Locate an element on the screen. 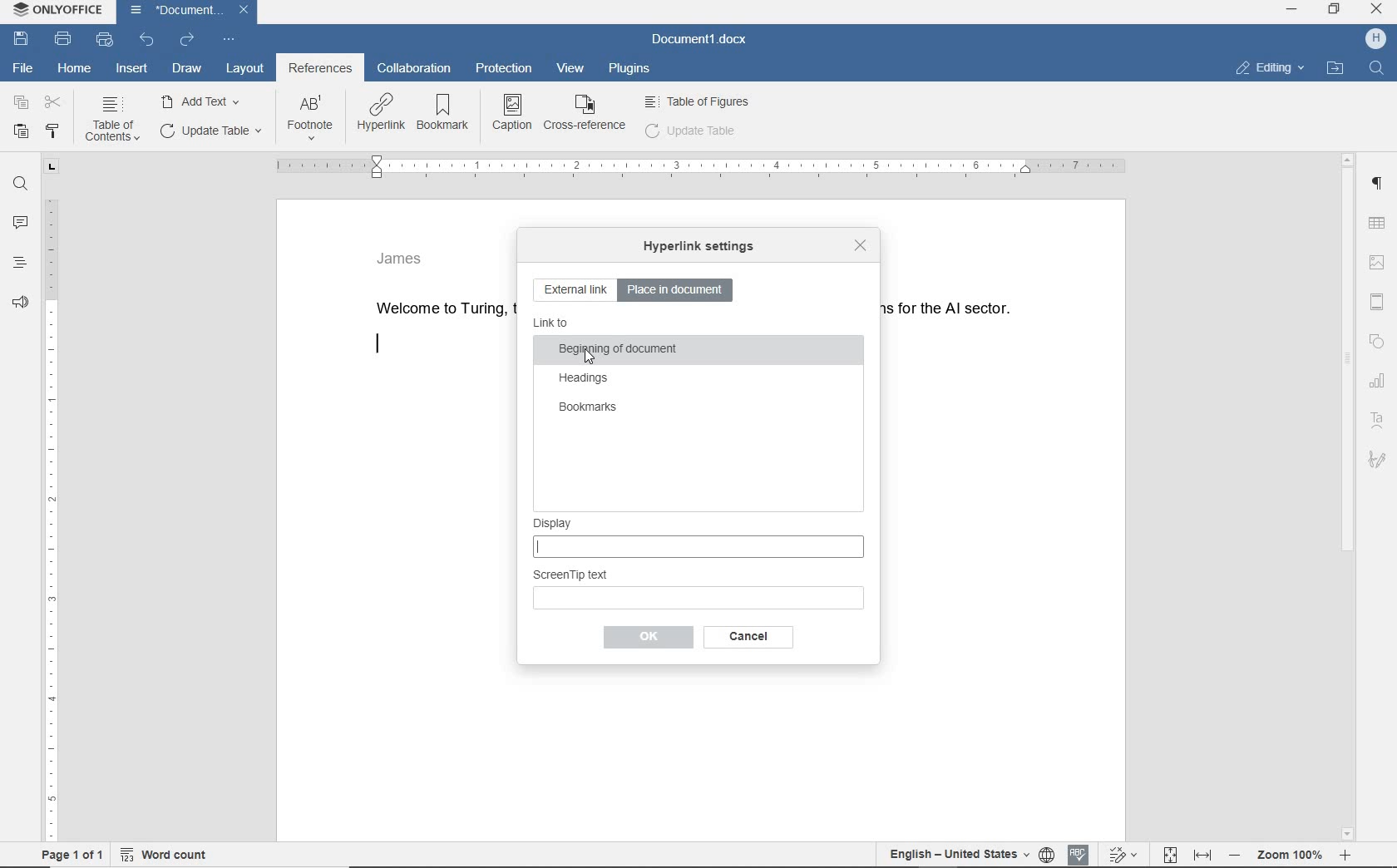  username is located at coordinates (1376, 40).